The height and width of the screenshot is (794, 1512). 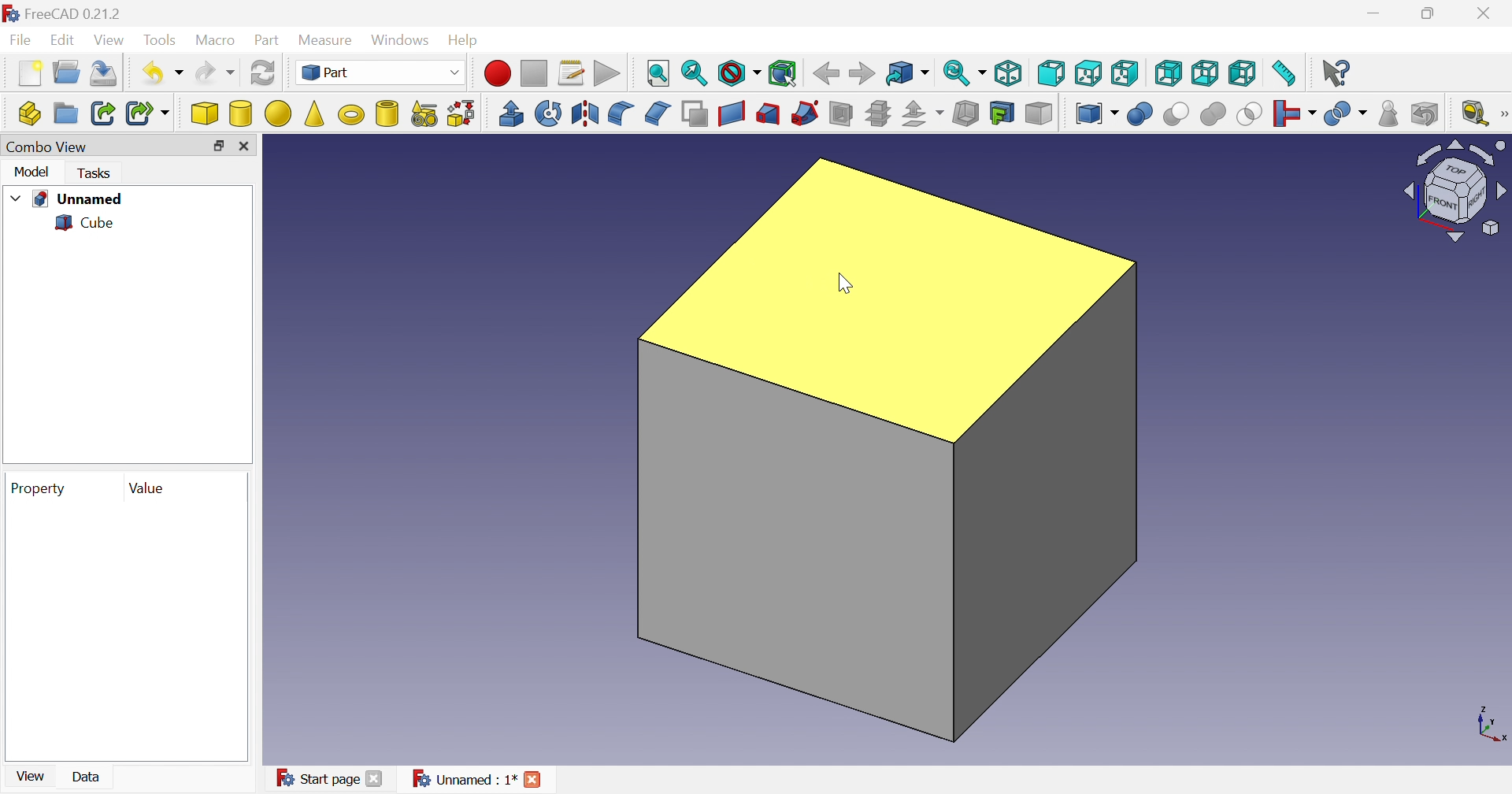 I want to click on Section, so click(x=839, y=113).